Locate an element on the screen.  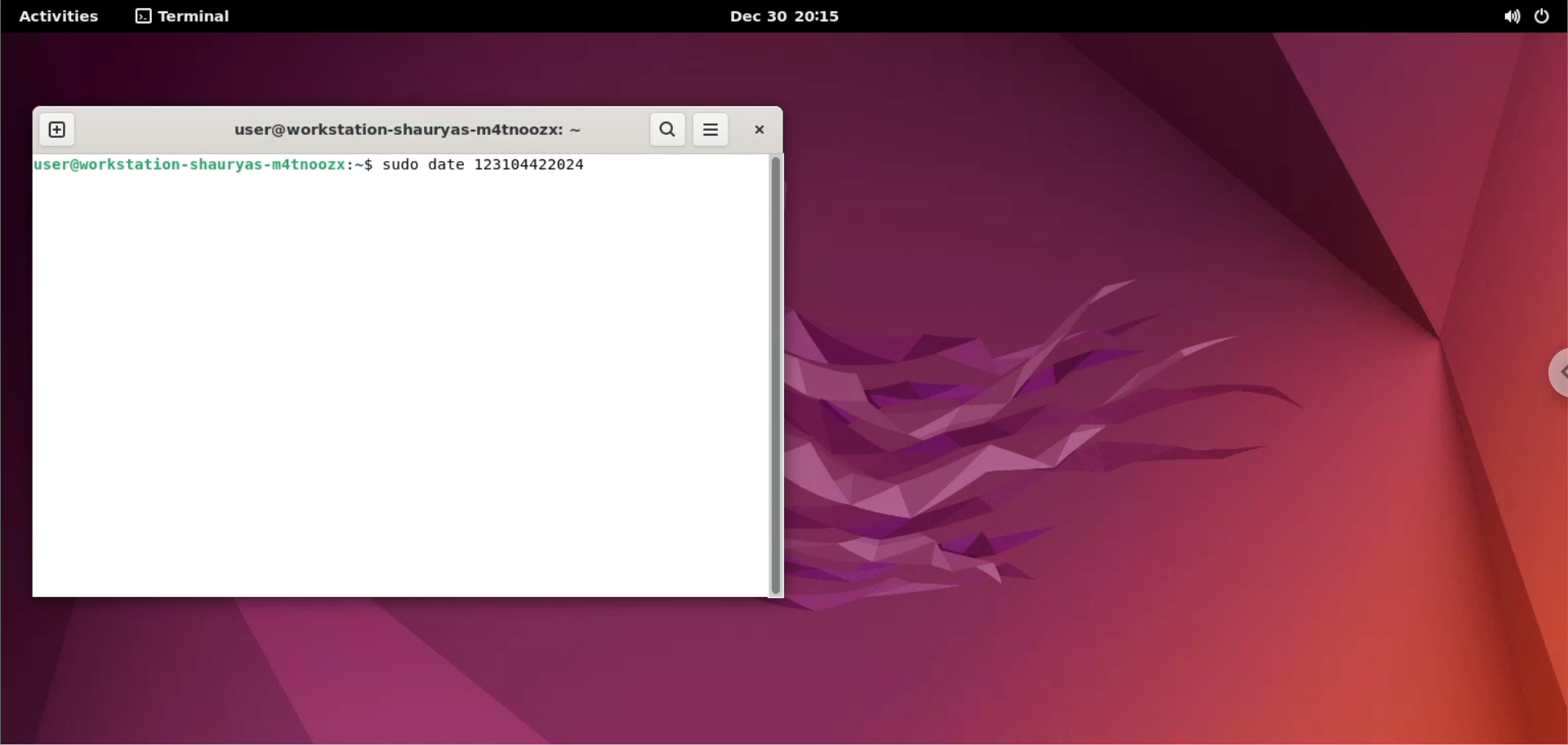
chrome options is located at coordinates (1547, 368).